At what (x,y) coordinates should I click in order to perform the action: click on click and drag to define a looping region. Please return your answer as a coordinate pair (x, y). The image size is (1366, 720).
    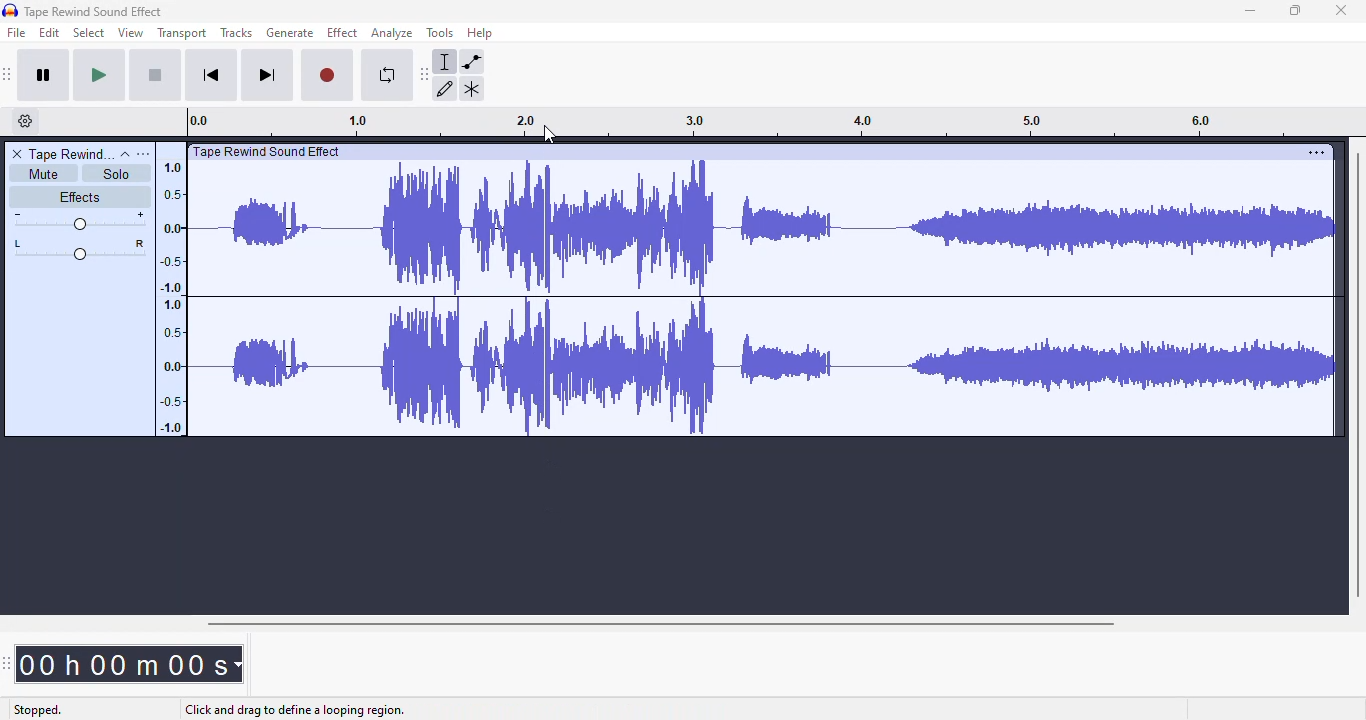
    Looking at the image, I should click on (295, 710).